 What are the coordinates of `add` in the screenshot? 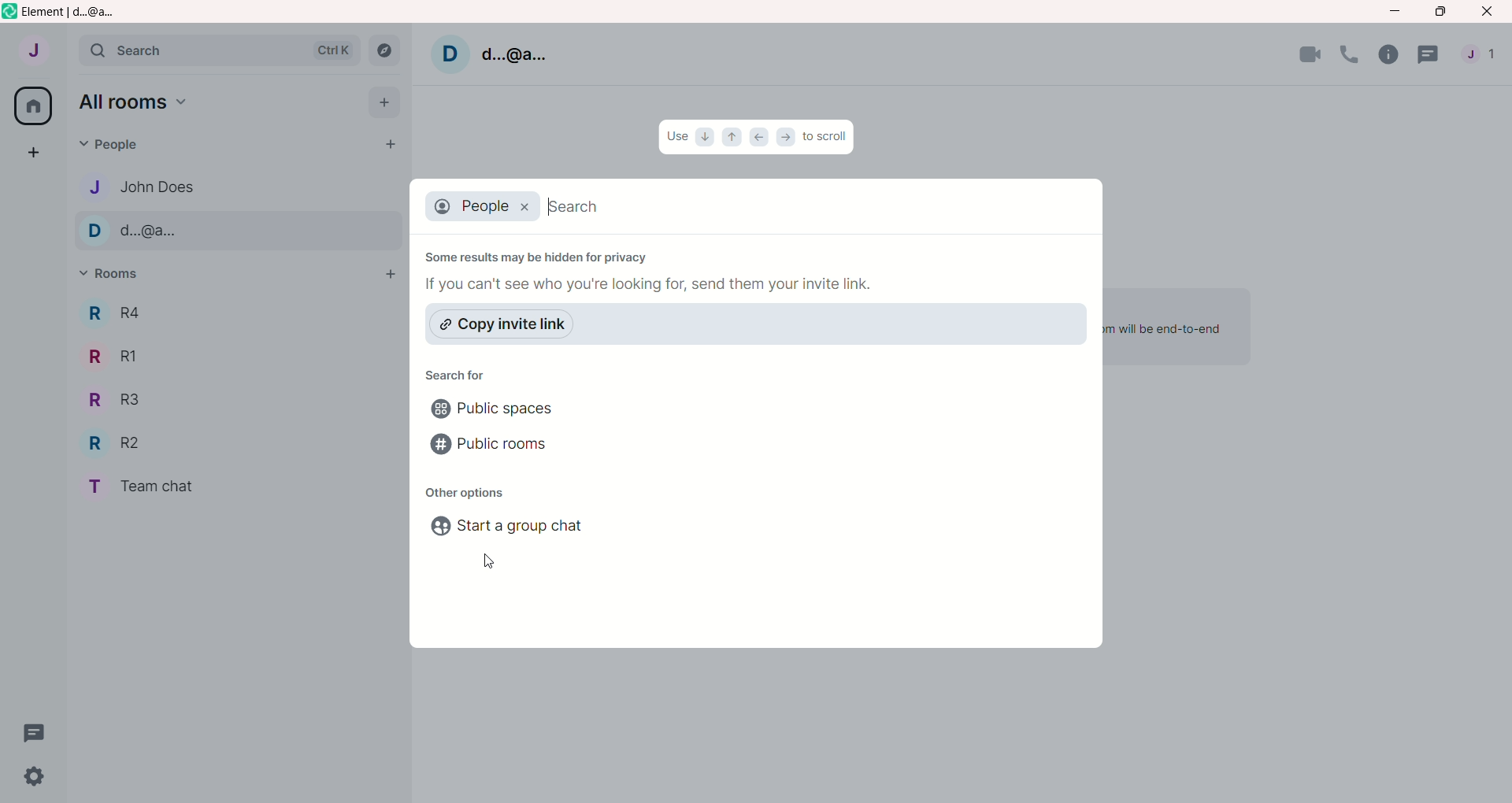 It's located at (386, 276).